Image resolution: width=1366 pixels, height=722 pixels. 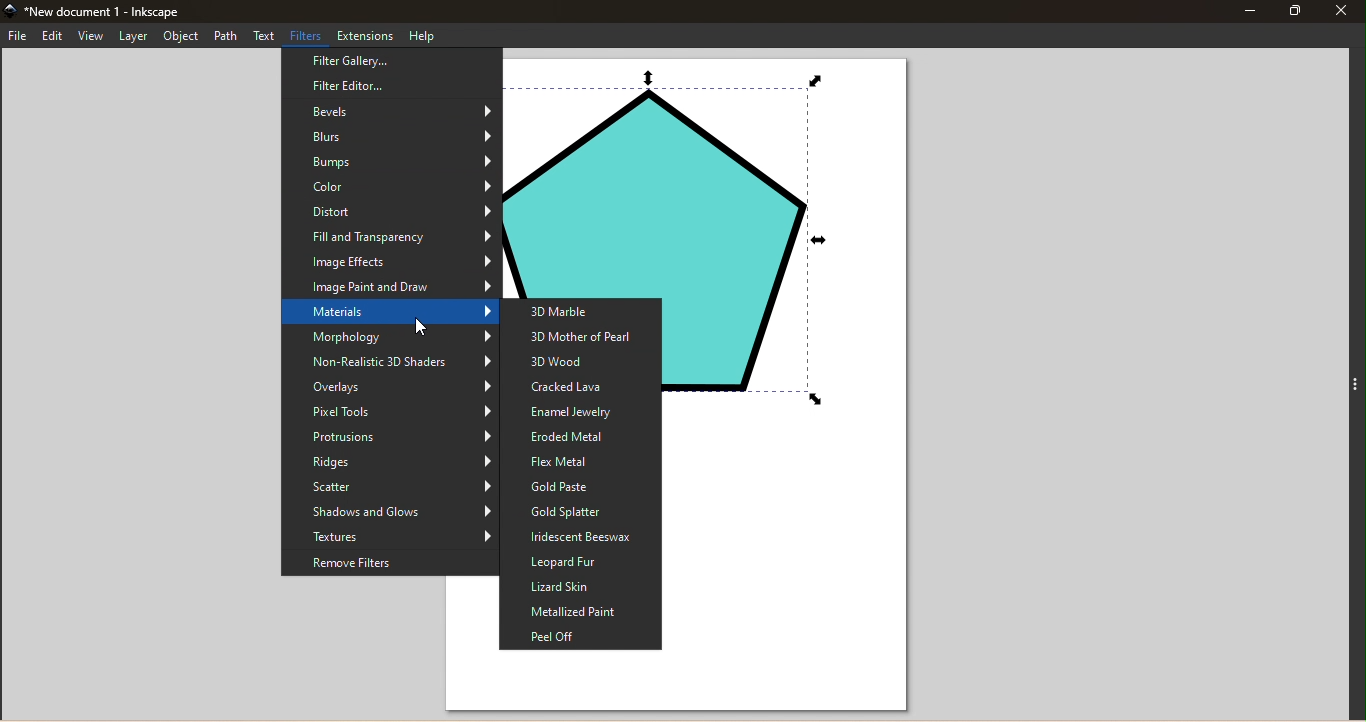 I want to click on Help, so click(x=426, y=36).